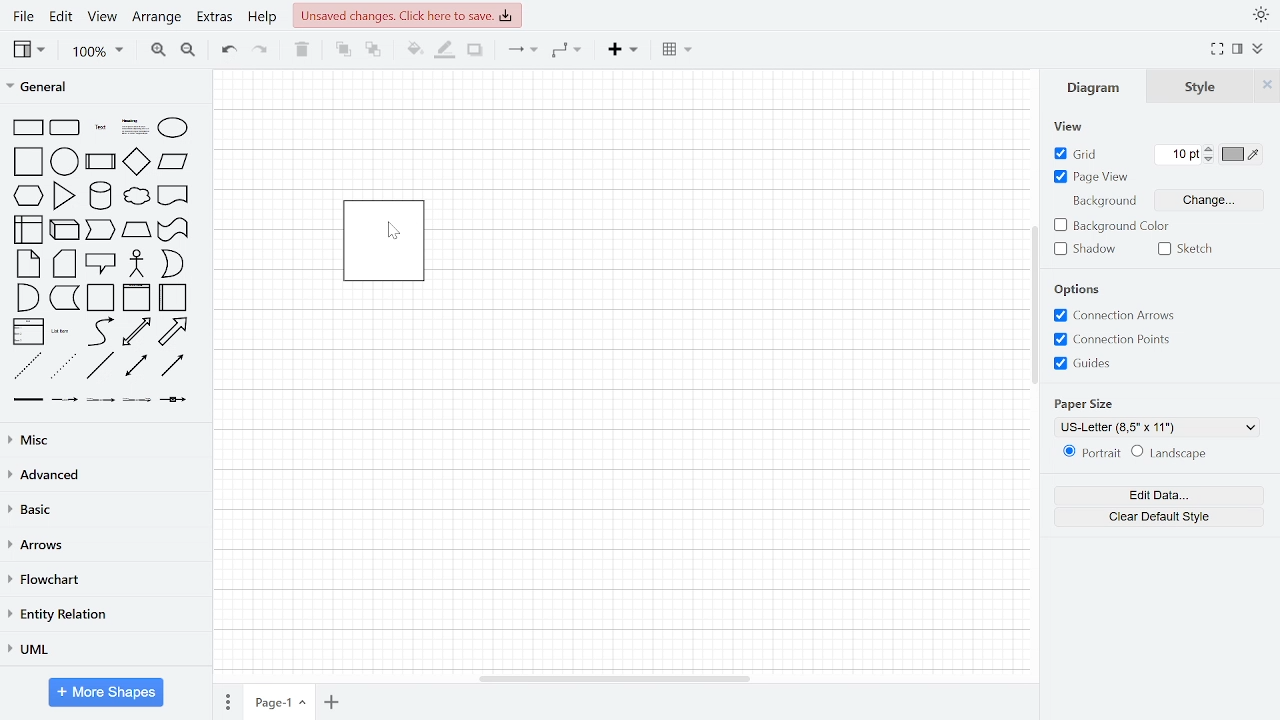 The width and height of the screenshot is (1280, 720). What do you see at coordinates (137, 229) in the screenshot?
I see `trapezoid` at bounding box center [137, 229].